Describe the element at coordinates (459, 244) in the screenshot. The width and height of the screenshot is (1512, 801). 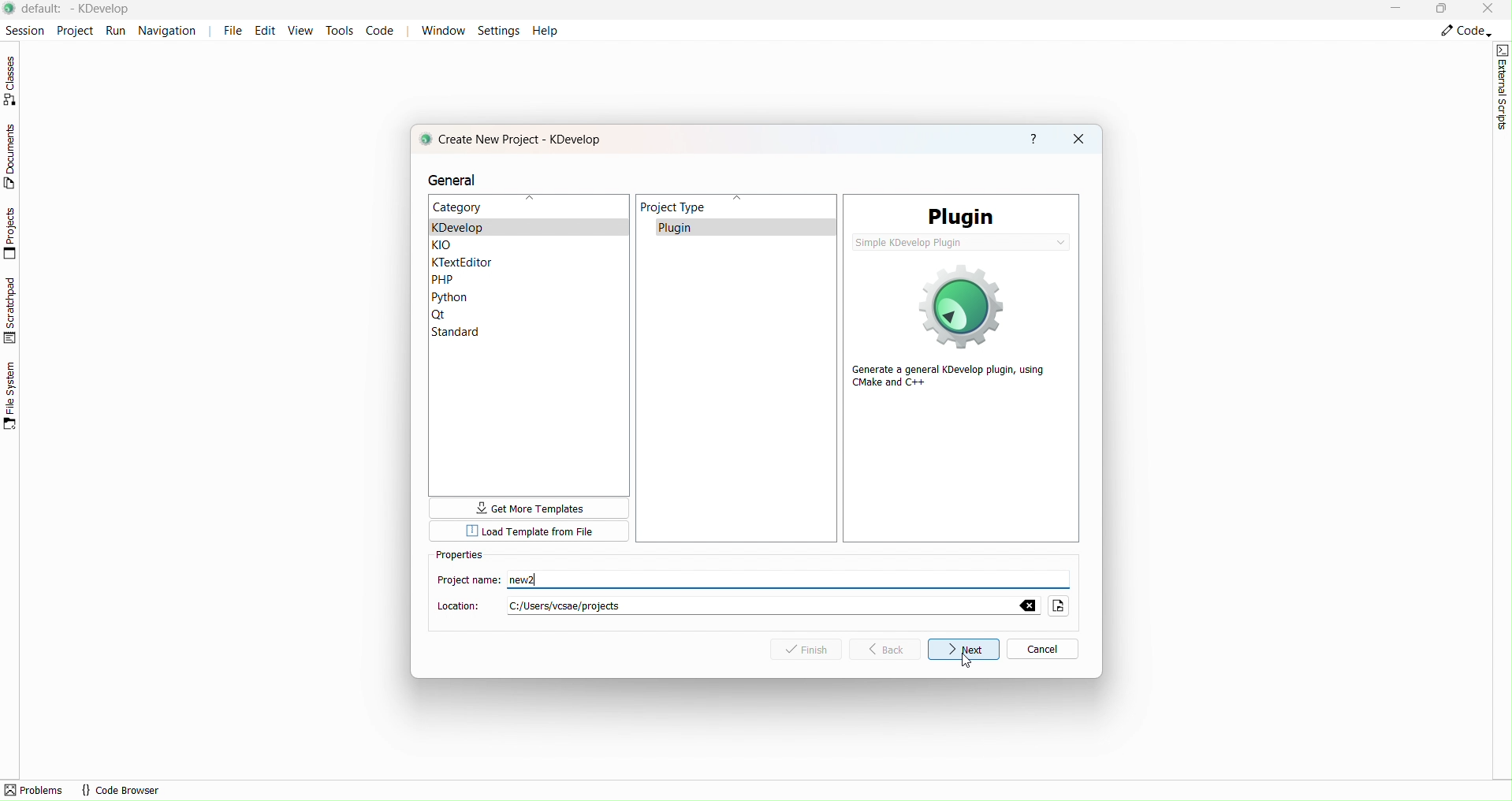
I see `KLO` at that location.